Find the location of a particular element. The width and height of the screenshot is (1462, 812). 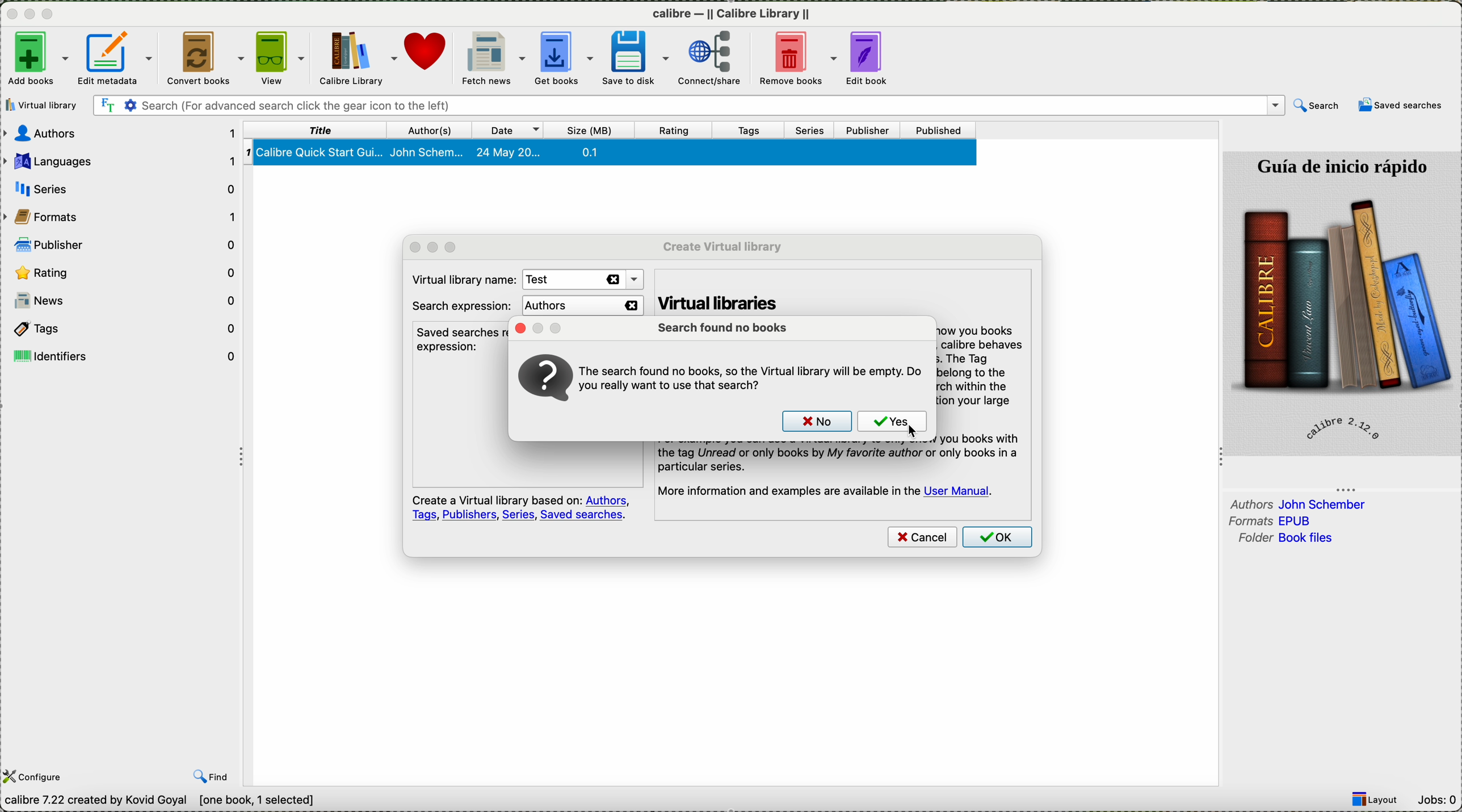

save to disk is located at coordinates (638, 57).